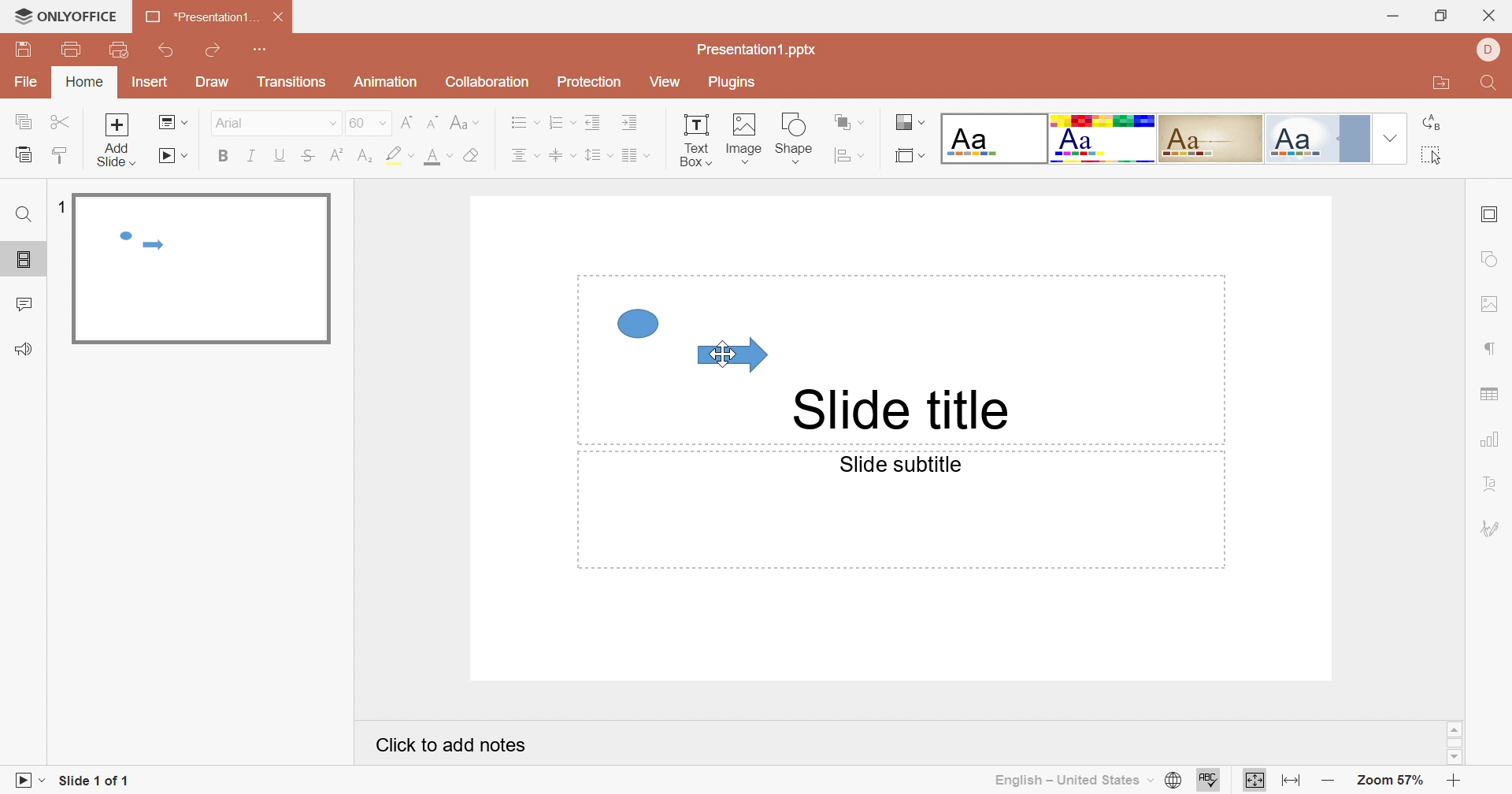 The image size is (1512, 794). I want to click on Bullets, so click(524, 124).